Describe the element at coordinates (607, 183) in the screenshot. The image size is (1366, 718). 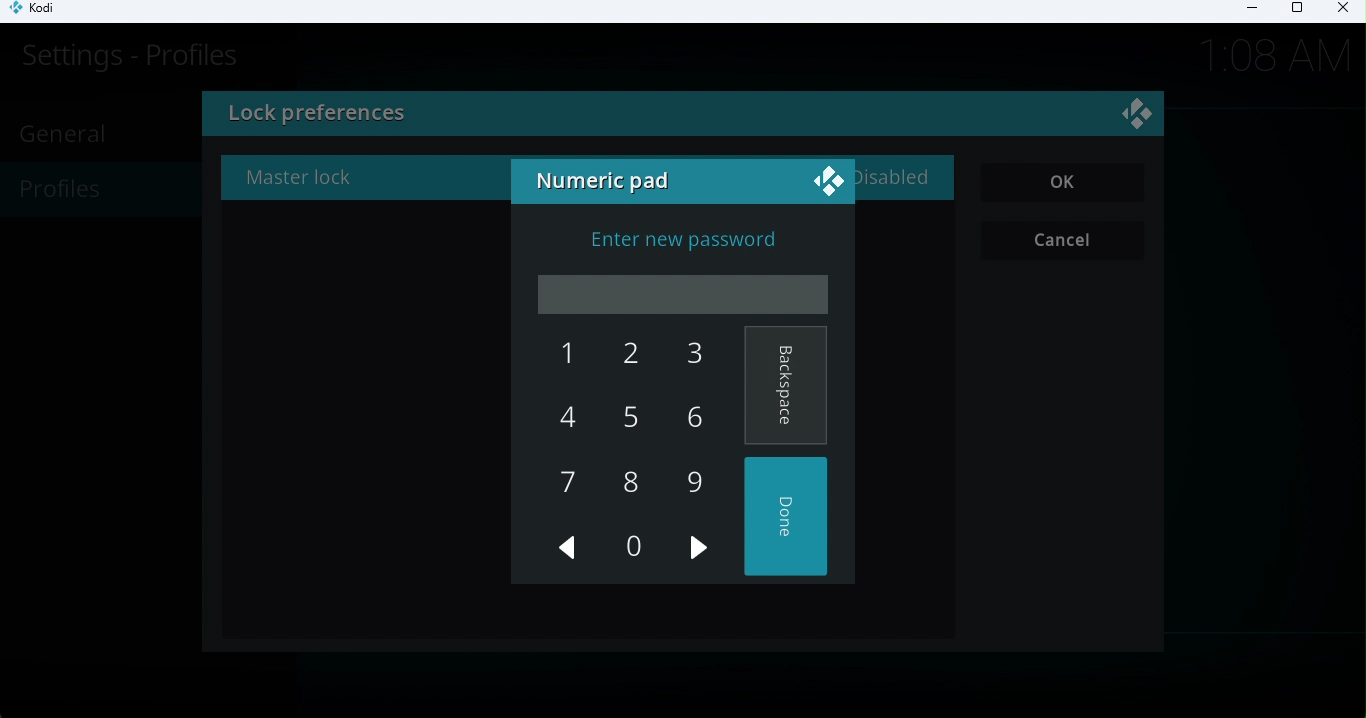
I see `Numeric pad` at that location.